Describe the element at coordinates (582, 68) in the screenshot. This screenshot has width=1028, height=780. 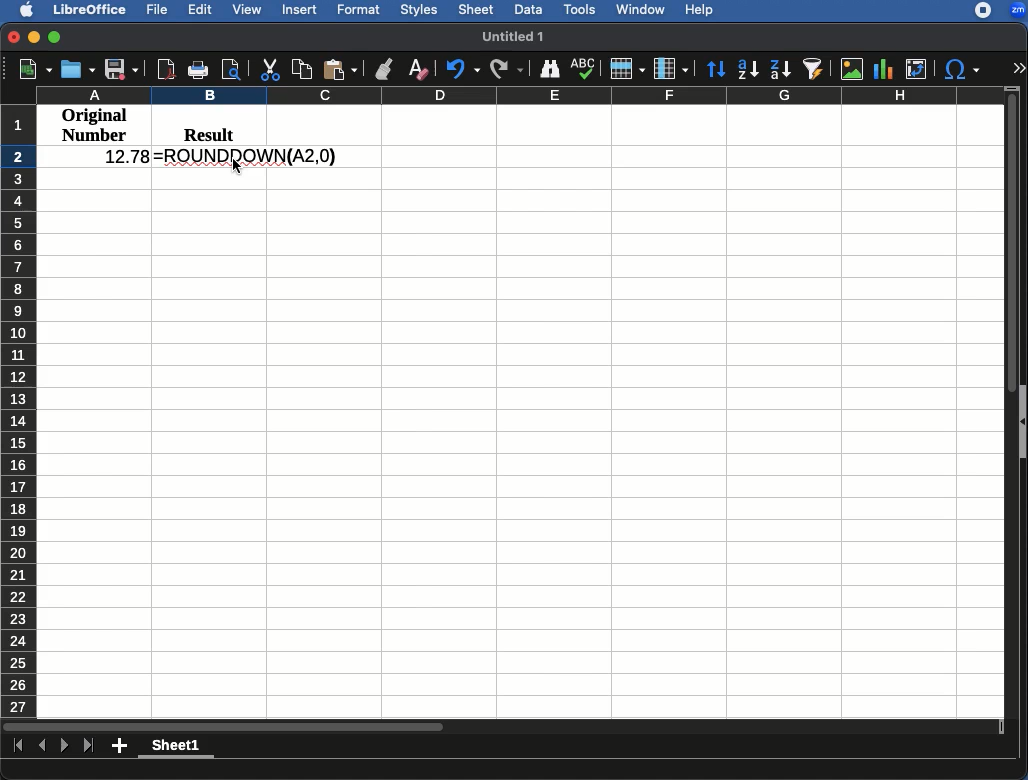
I see `Spellcheck` at that location.